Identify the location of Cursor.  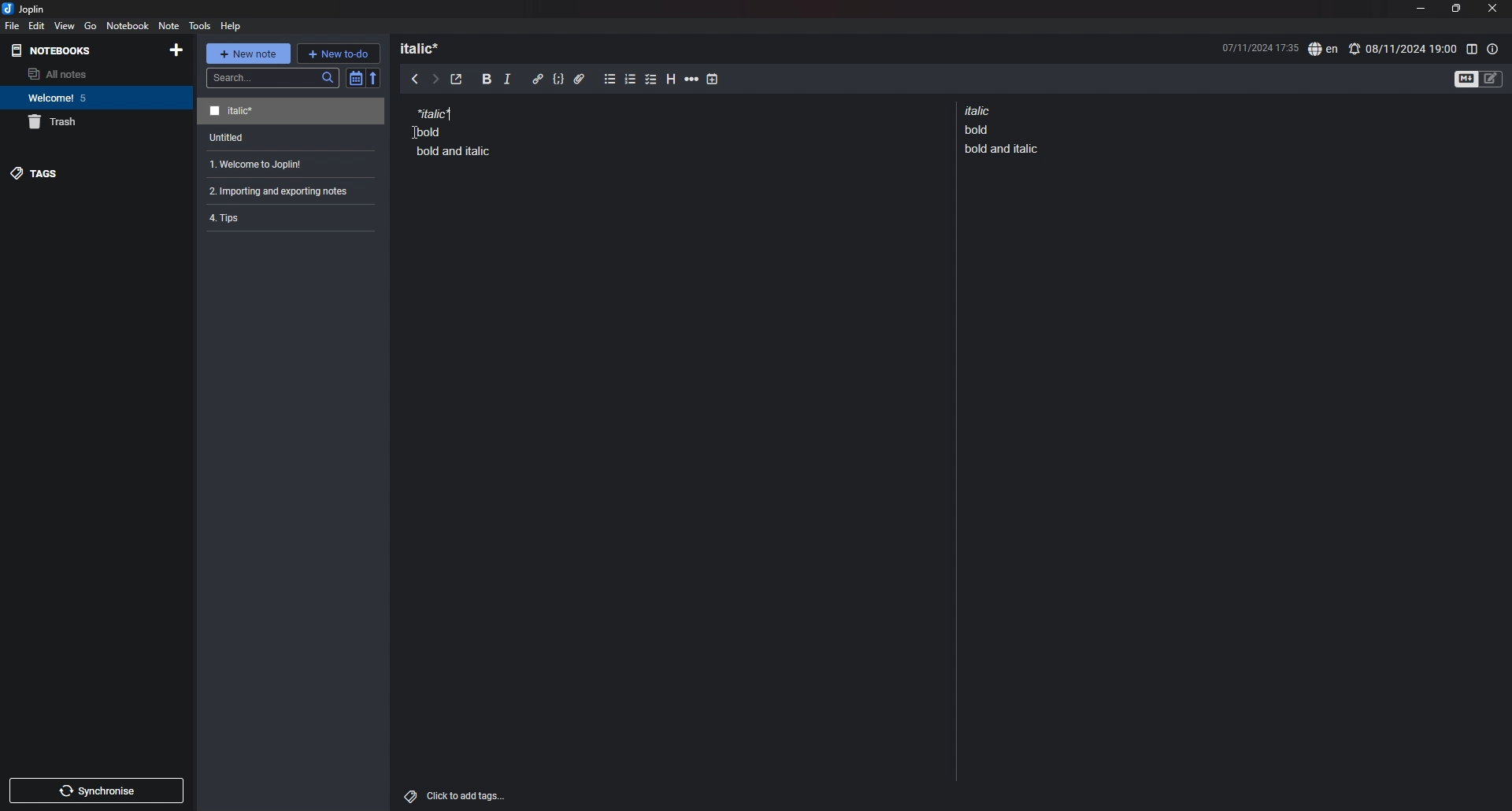
(415, 130).